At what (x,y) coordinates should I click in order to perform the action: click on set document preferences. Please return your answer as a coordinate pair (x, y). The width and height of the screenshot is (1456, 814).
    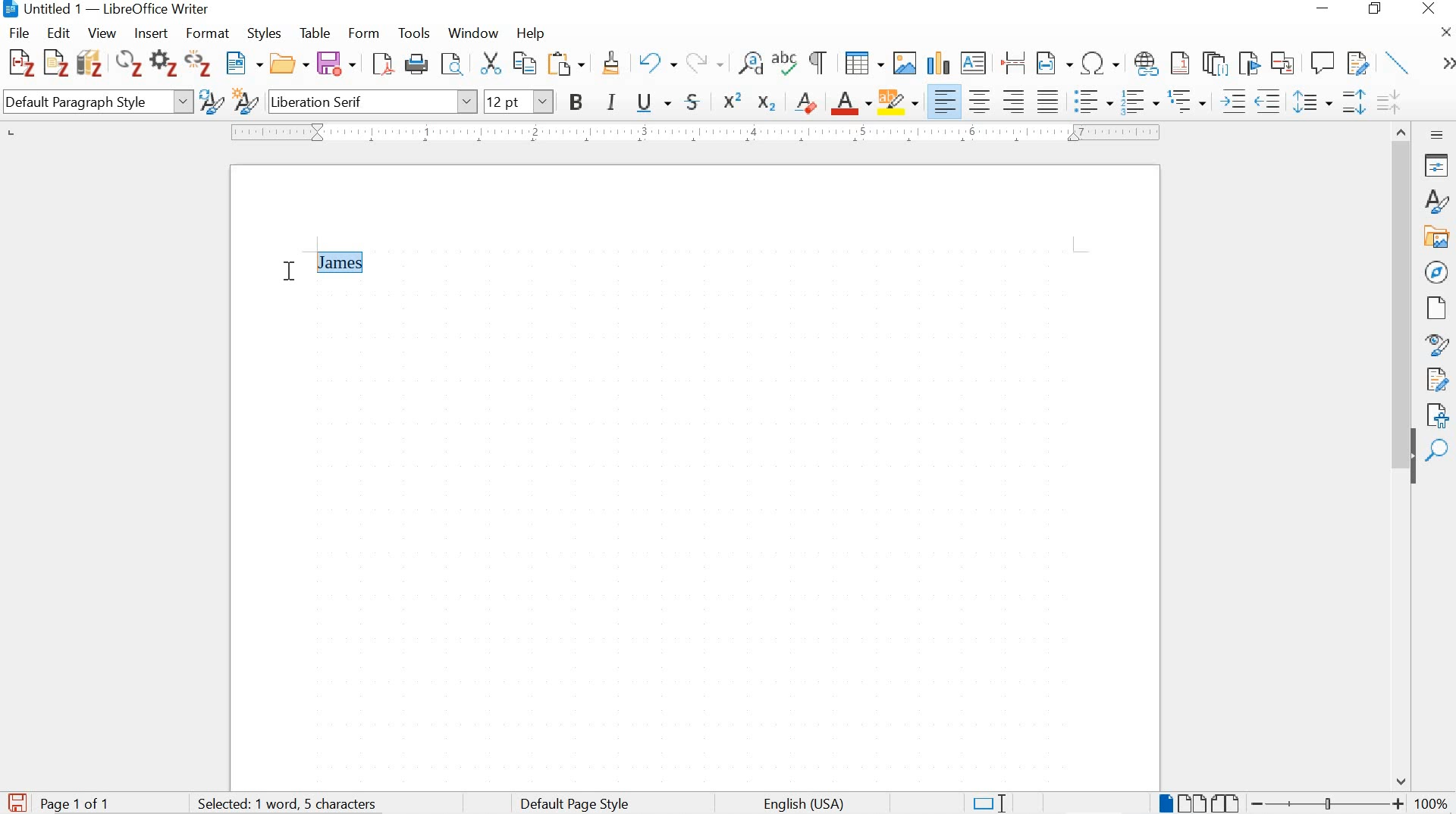
    Looking at the image, I should click on (163, 65).